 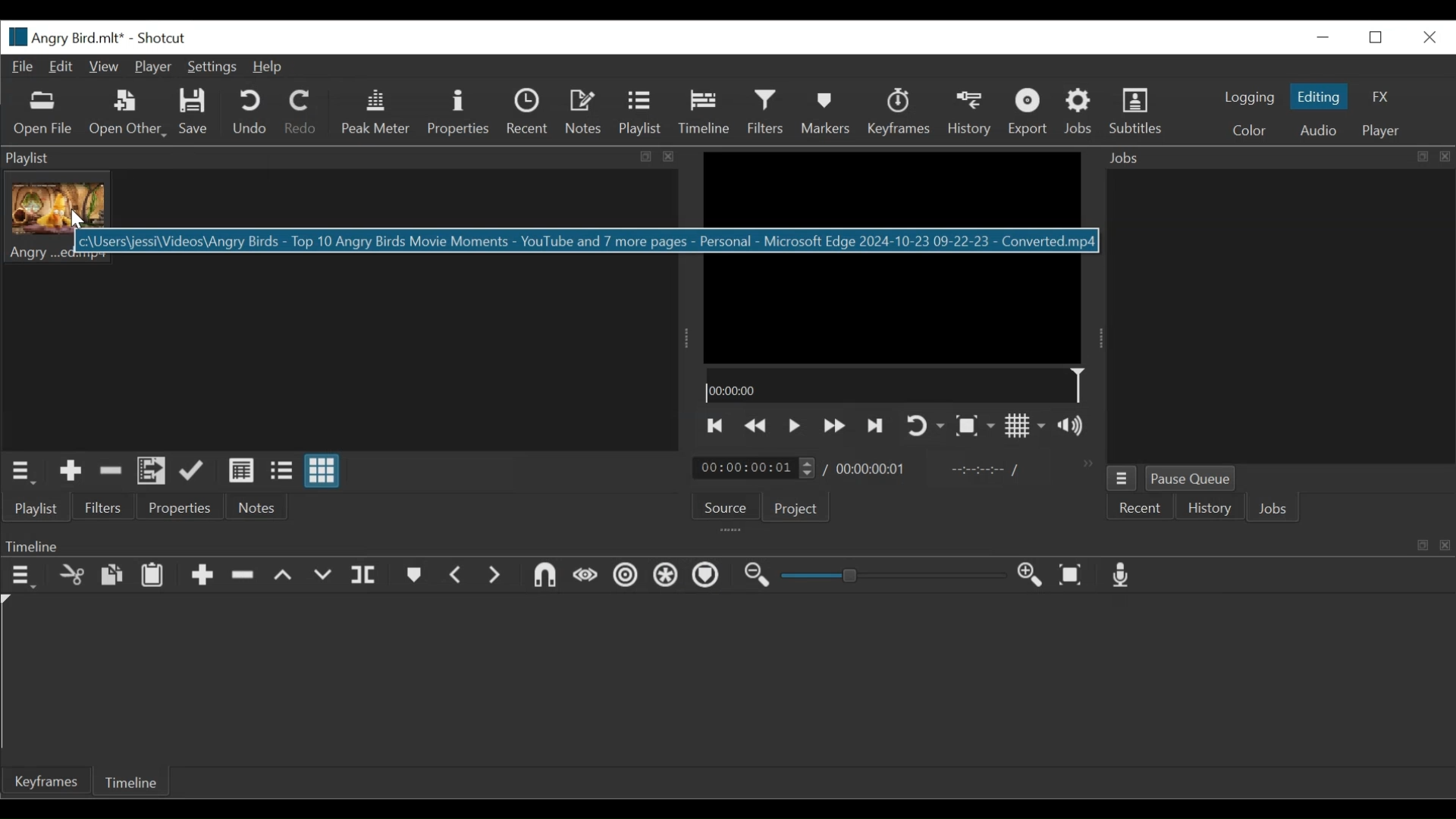 What do you see at coordinates (112, 575) in the screenshot?
I see `Copy` at bounding box center [112, 575].